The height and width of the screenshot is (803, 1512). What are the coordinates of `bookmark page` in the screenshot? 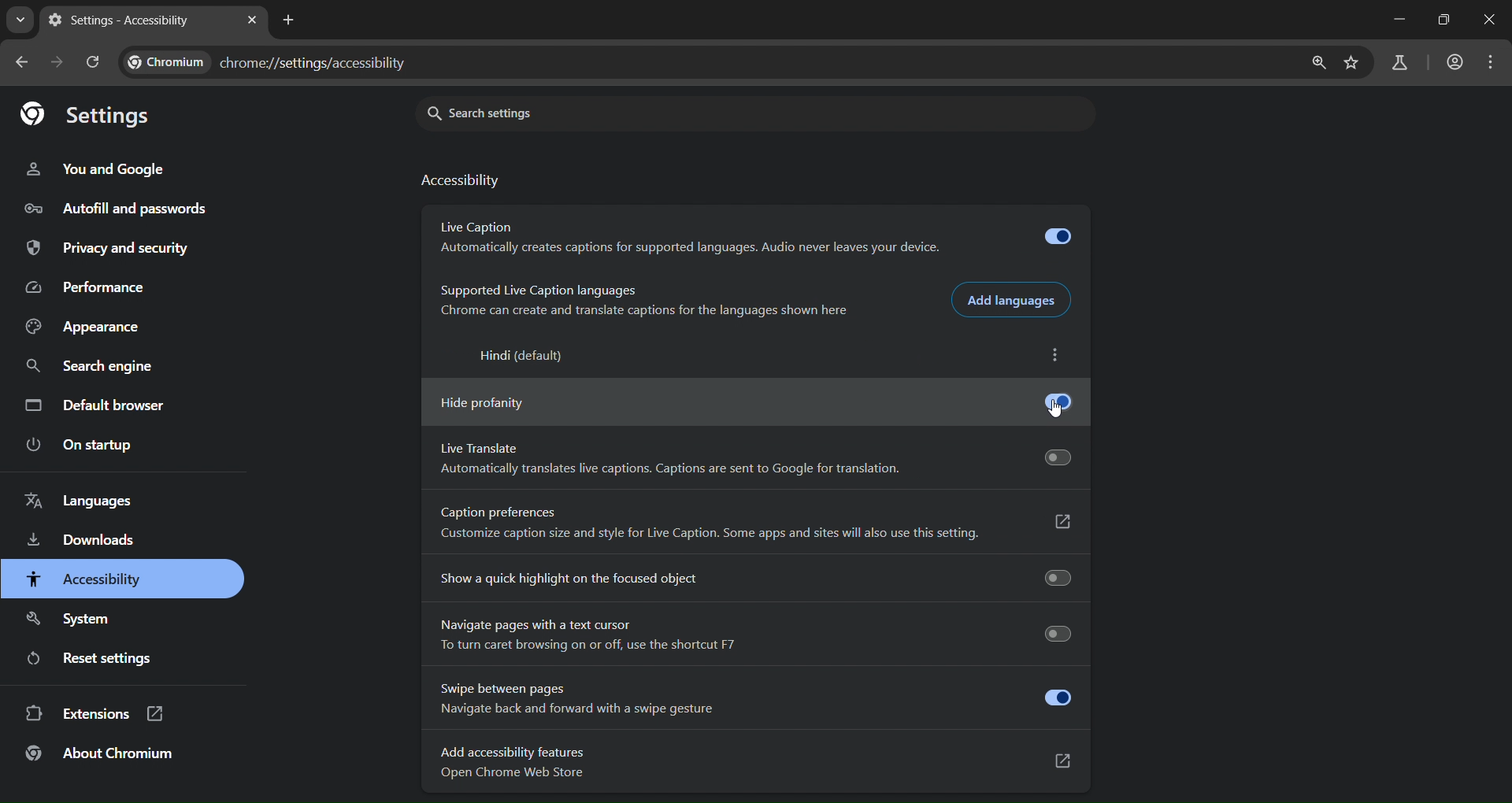 It's located at (1354, 64).